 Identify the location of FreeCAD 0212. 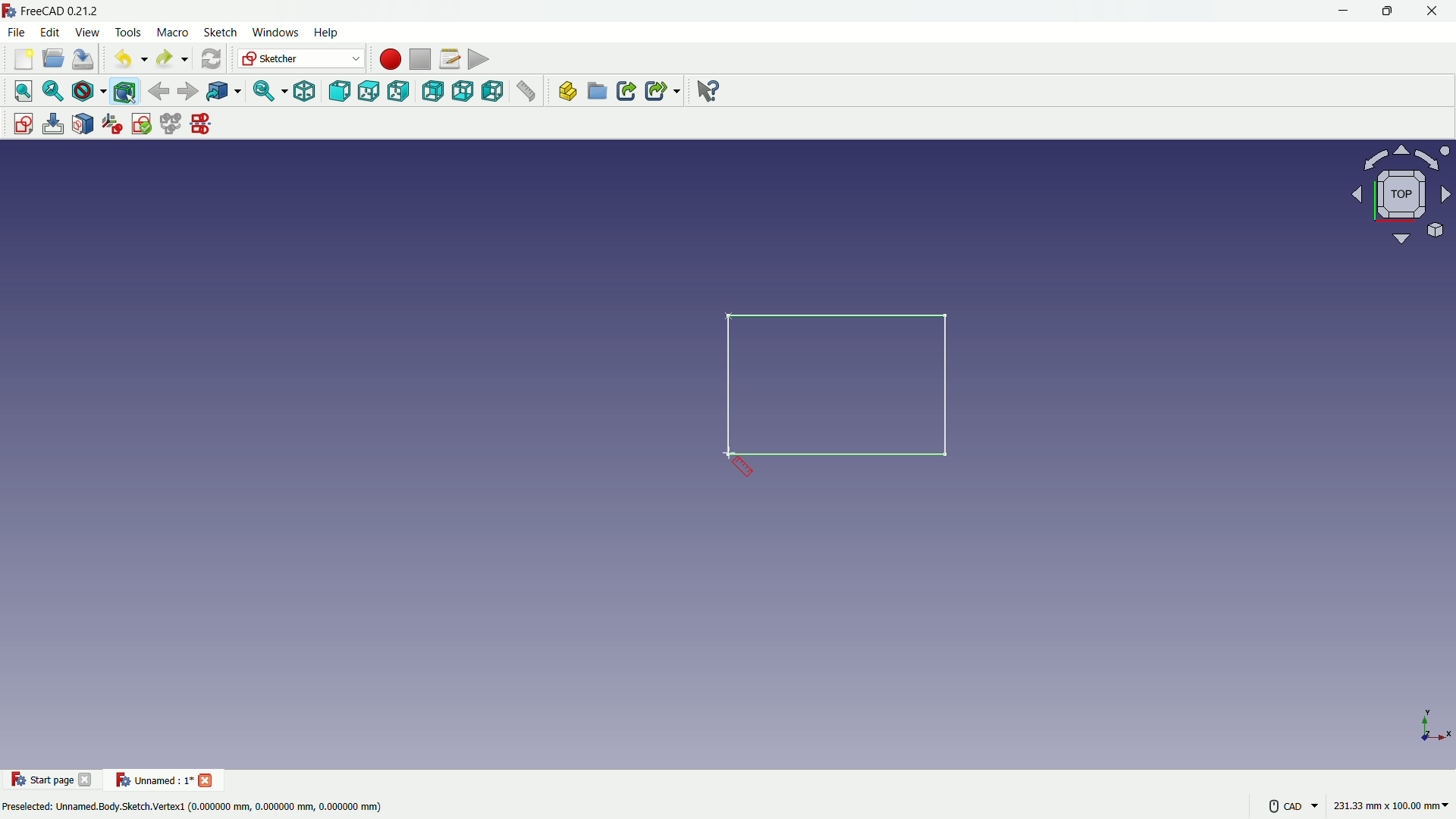
(72, 11).